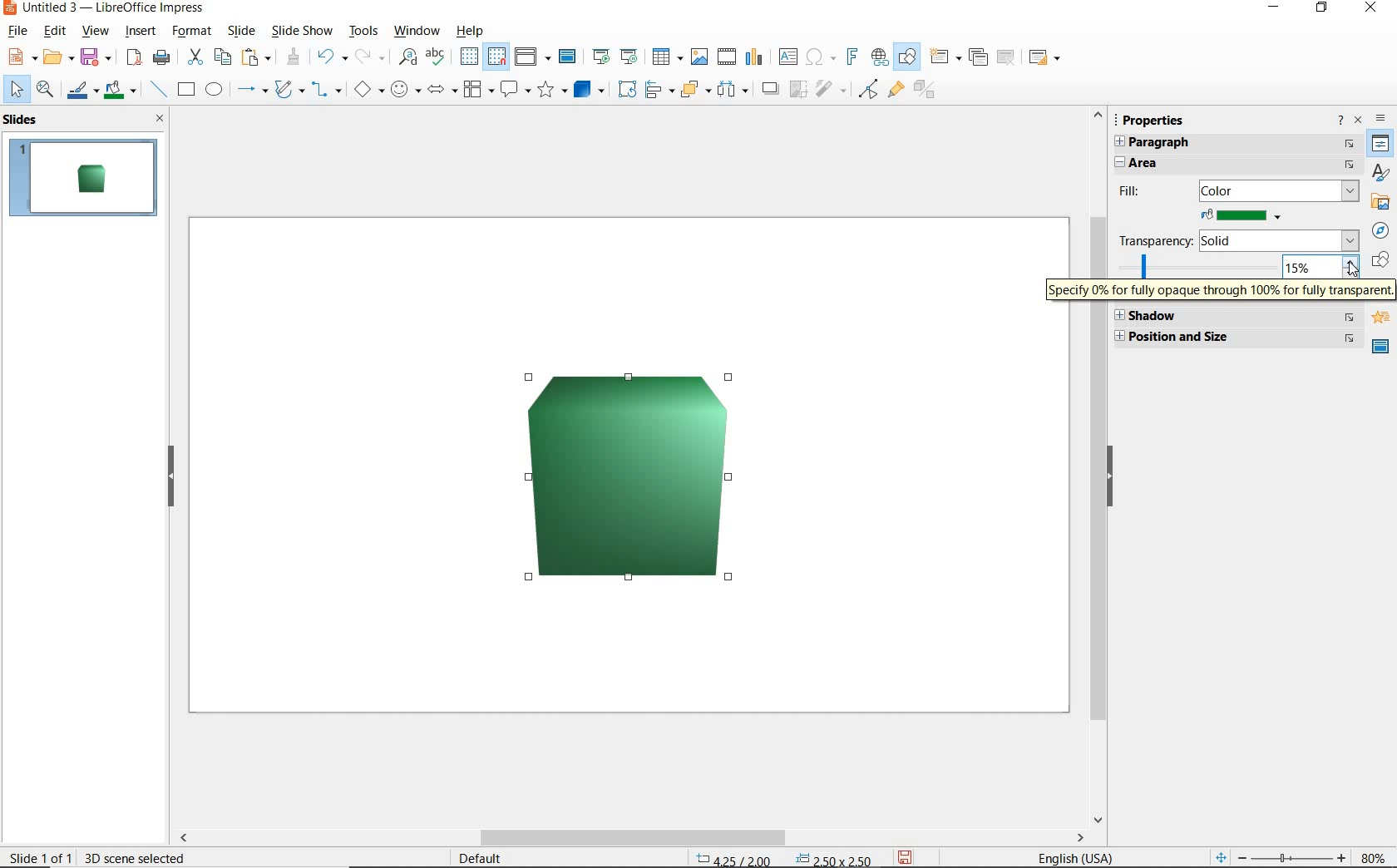 This screenshot has height=868, width=1397. Describe the element at coordinates (553, 92) in the screenshot. I see `stars and banners` at that location.